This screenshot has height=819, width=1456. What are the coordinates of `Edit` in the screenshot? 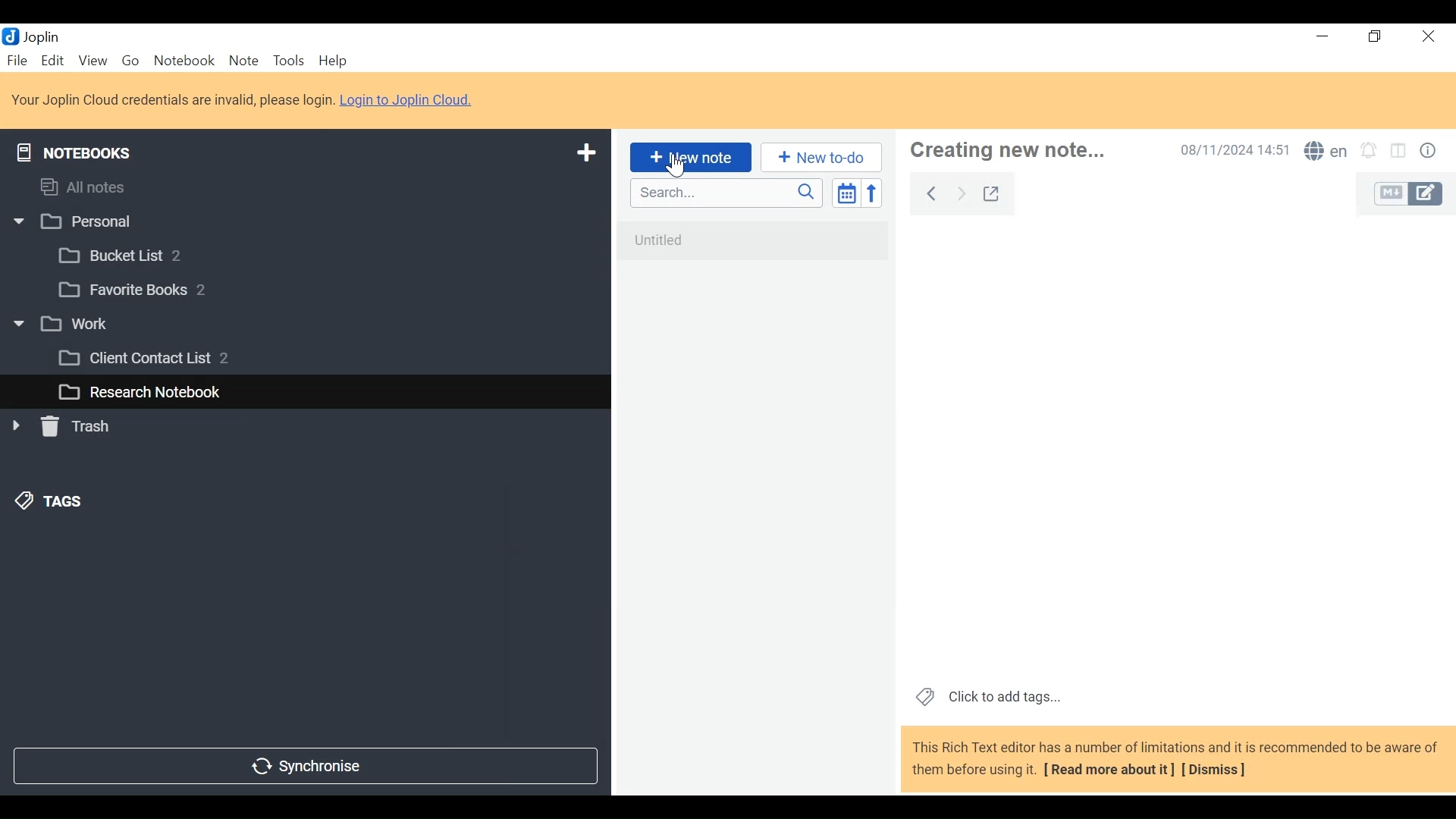 It's located at (54, 60).